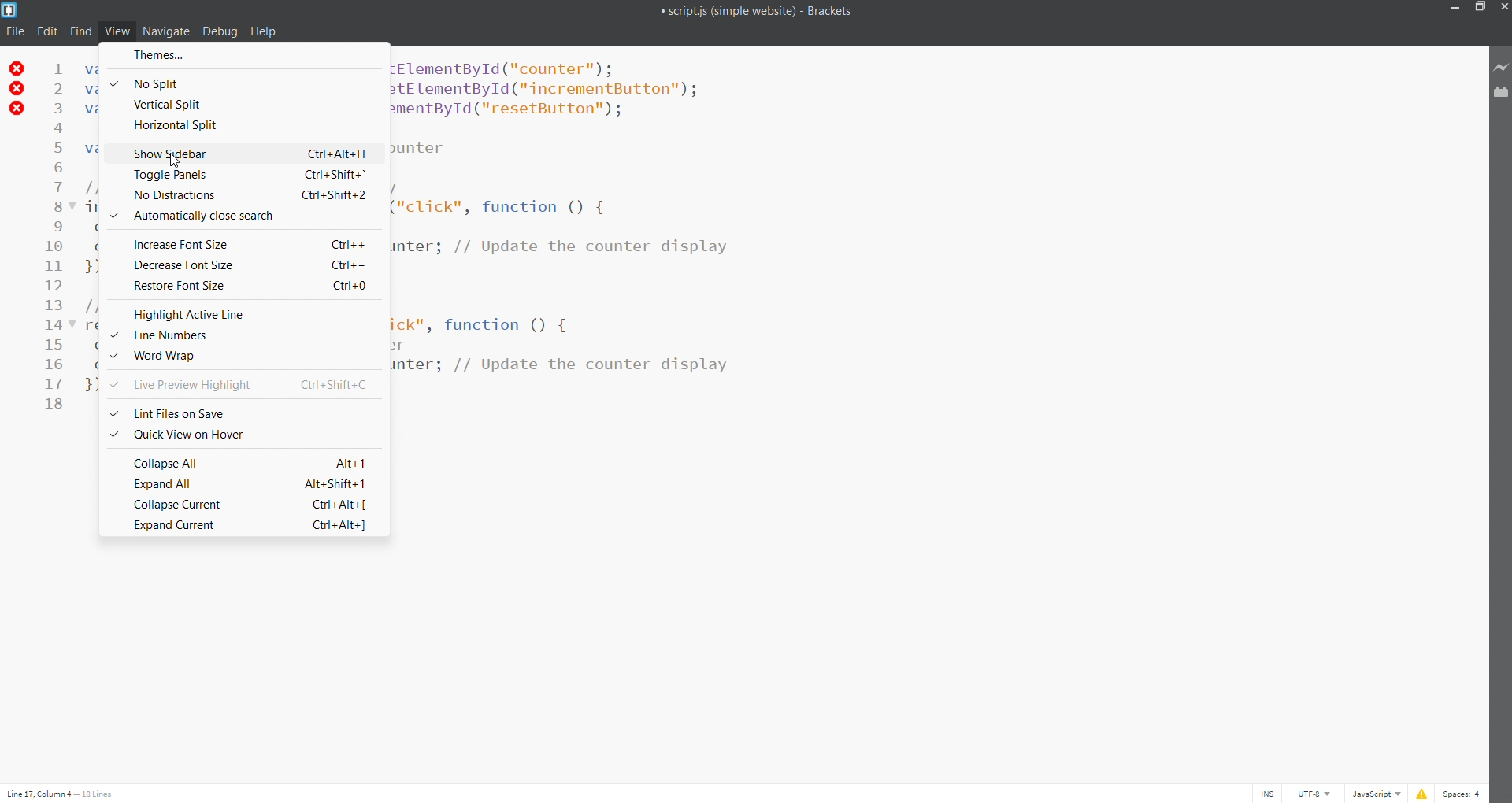 This screenshot has height=803, width=1512. Describe the element at coordinates (168, 104) in the screenshot. I see `vertical split` at that location.